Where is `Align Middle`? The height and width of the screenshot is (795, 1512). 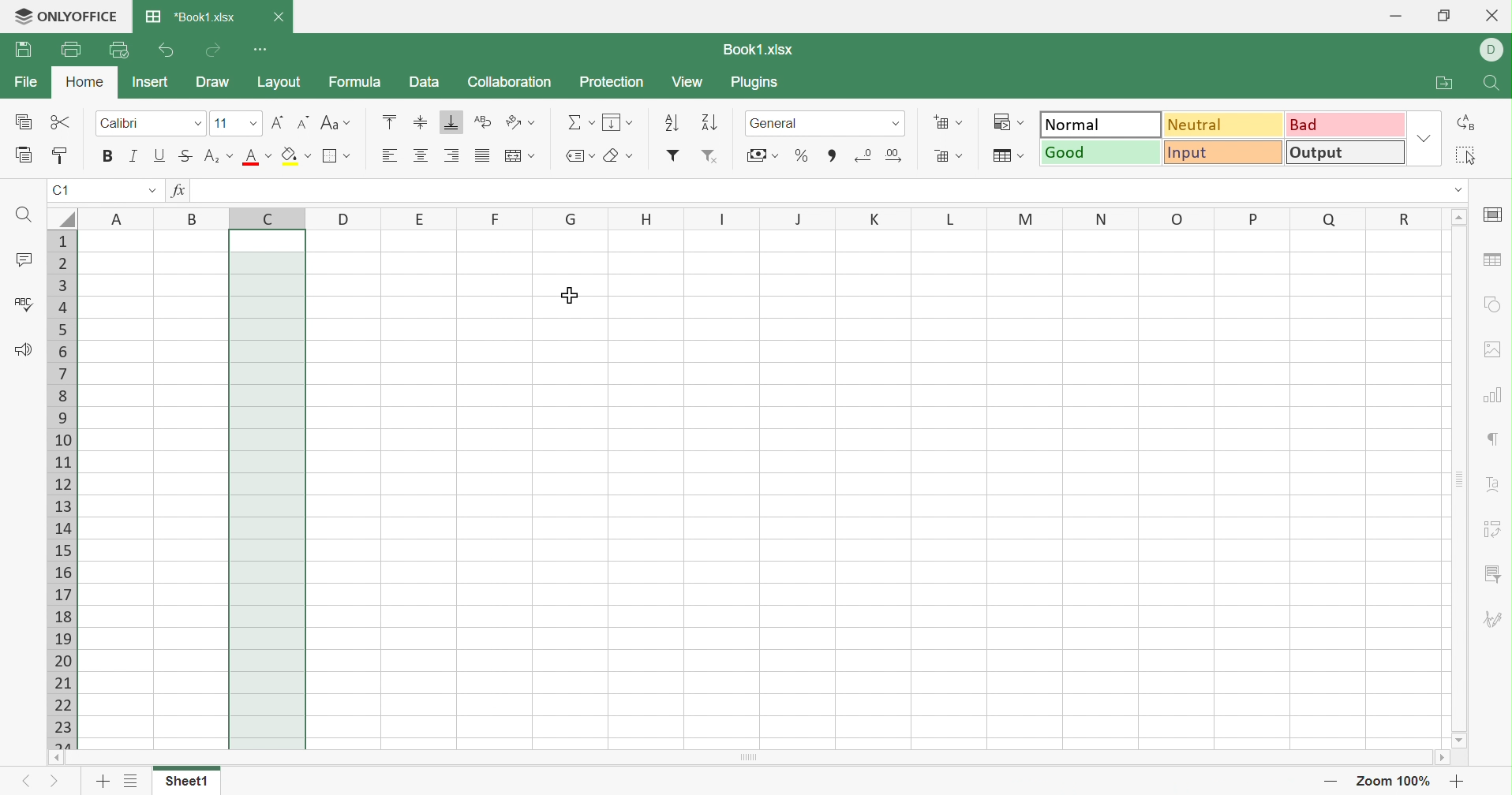 Align Middle is located at coordinates (422, 121).